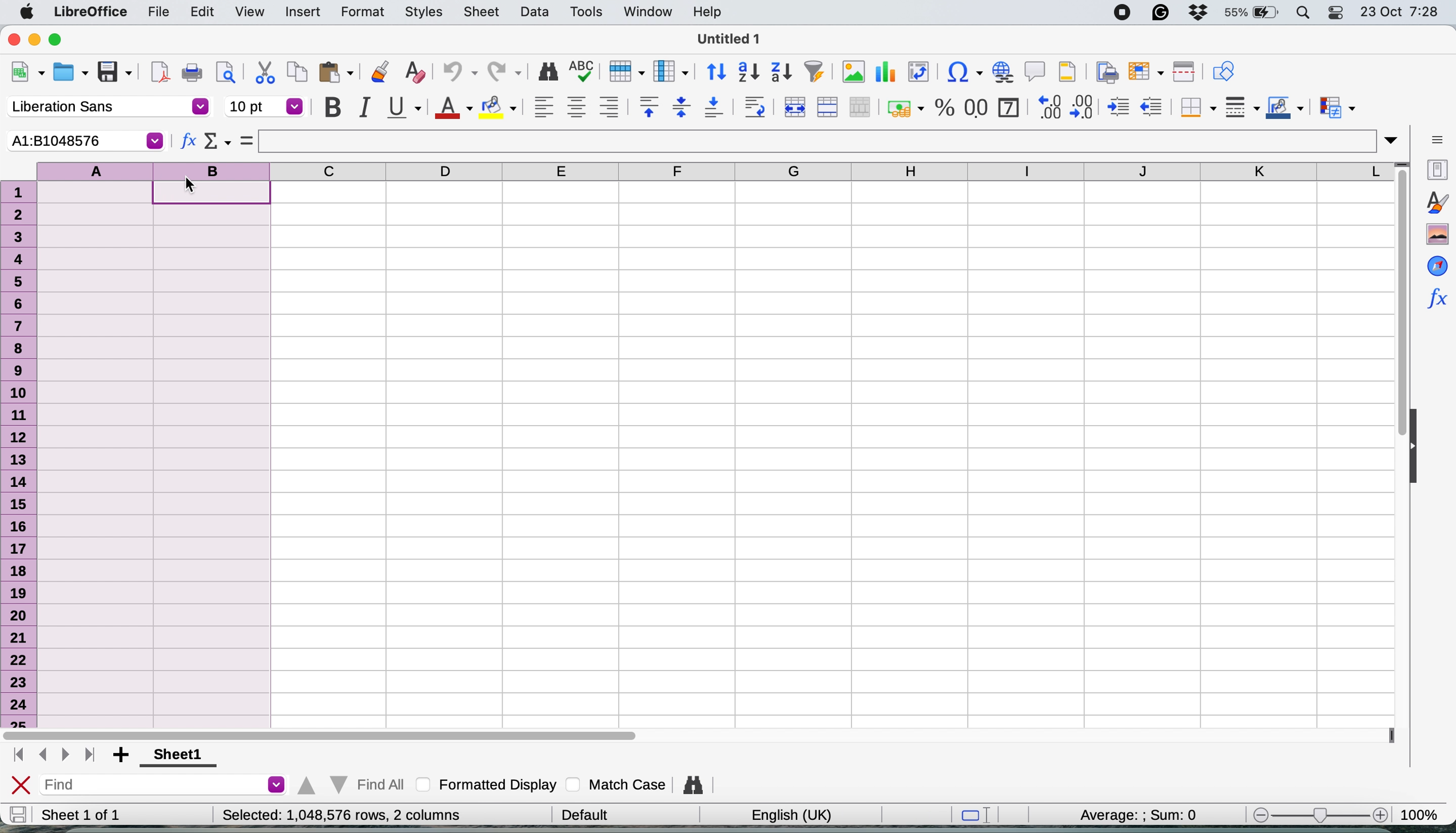 The height and width of the screenshot is (833, 1456). What do you see at coordinates (1334, 12) in the screenshot?
I see `control center` at bounding box center [1334, 12].